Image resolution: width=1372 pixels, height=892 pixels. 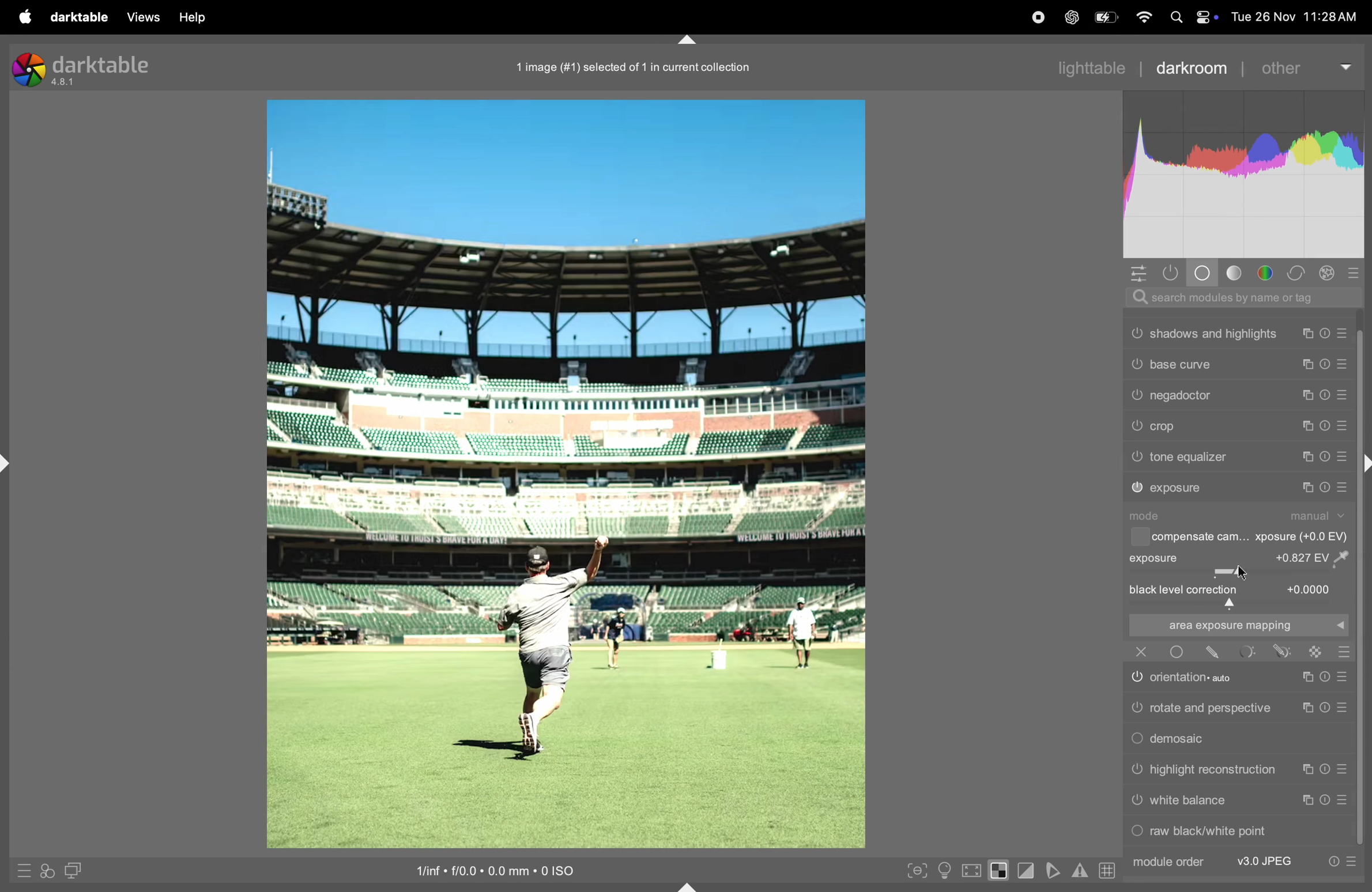 What do you see at coordinates (1055, 870) in the screenshot?
I see `soften` at bounding box center [1055, 870].